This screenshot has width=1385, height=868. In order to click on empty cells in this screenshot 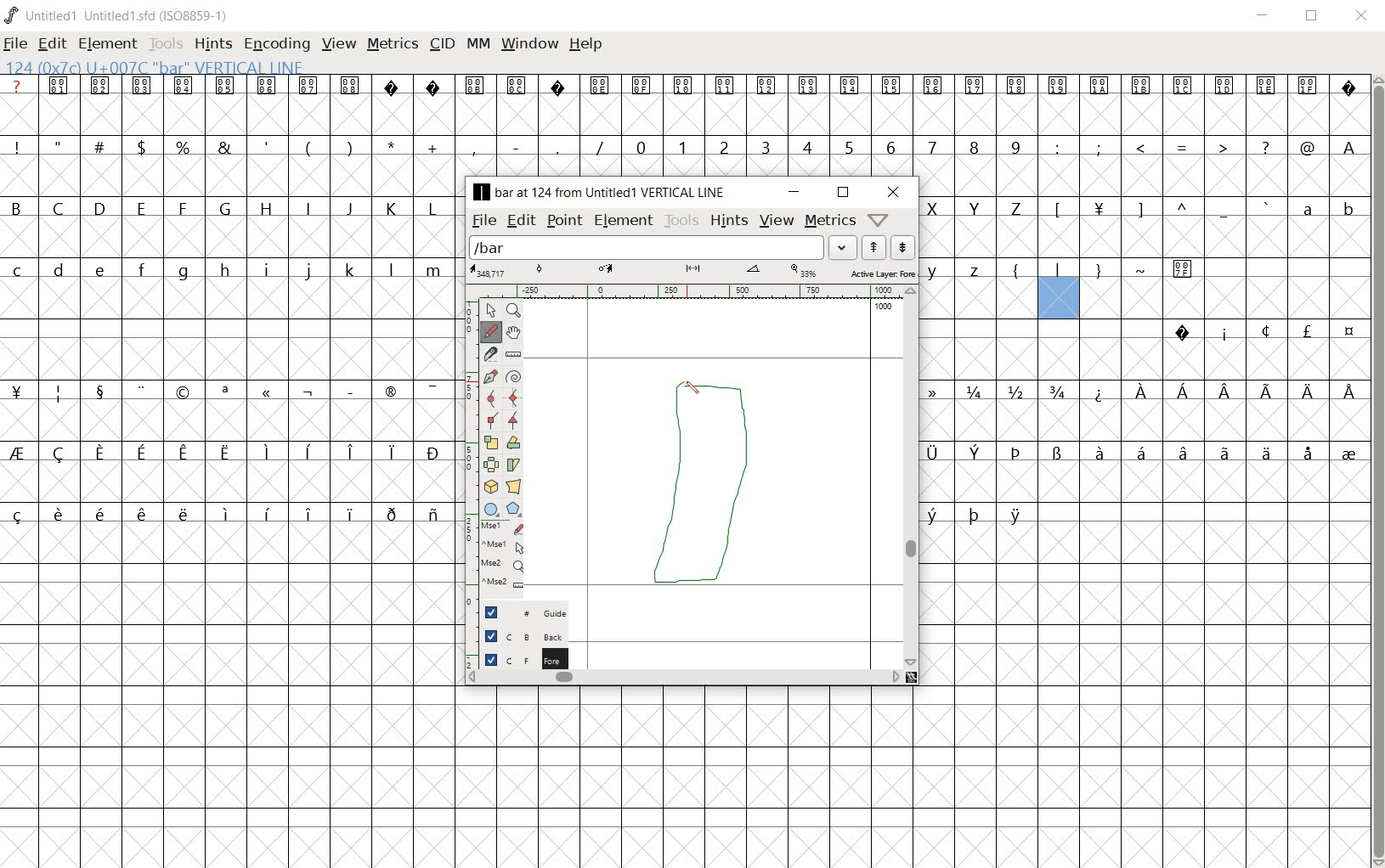, I will do `click(231, 301)`.